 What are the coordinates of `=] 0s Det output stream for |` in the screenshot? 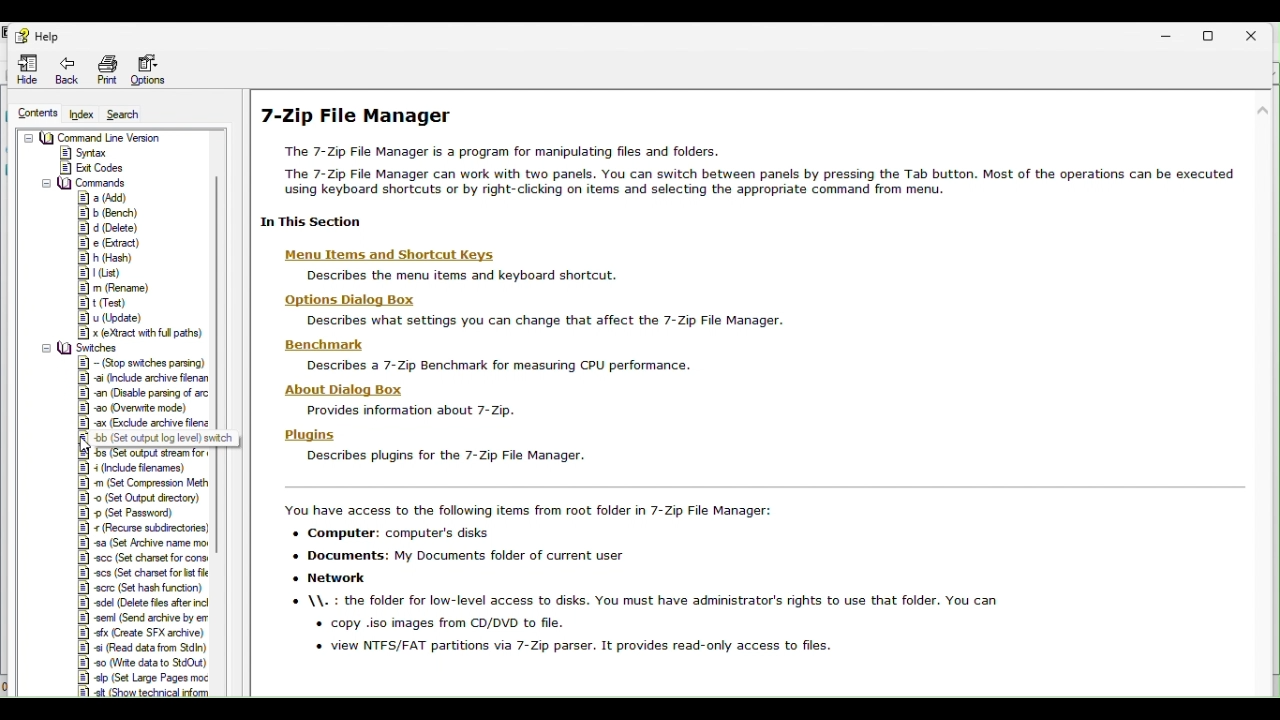 It's located at (164, 454).